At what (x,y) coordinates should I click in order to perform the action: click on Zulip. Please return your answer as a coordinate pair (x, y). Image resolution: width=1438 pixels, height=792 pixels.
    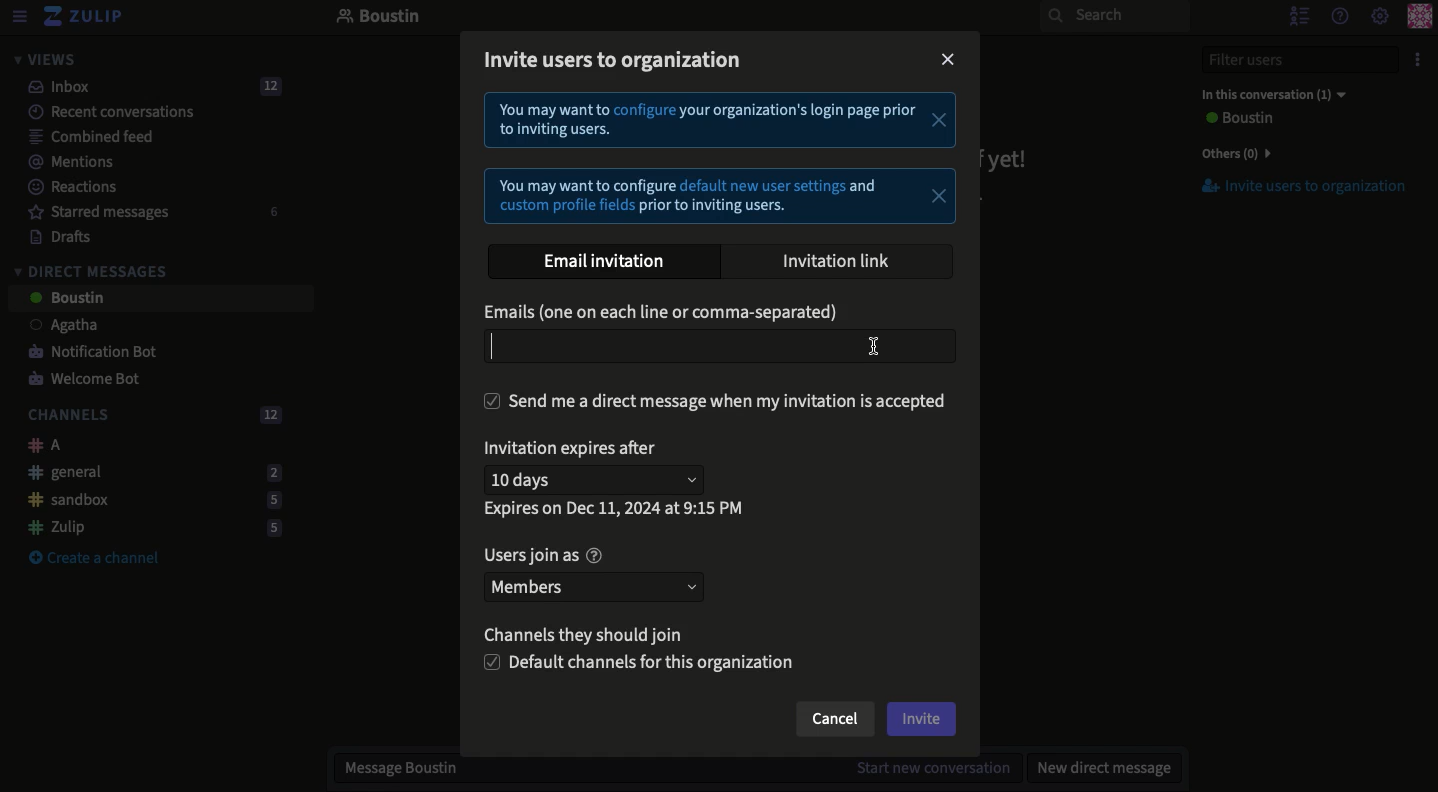
    Looking at the image, I should click on (85, 17).